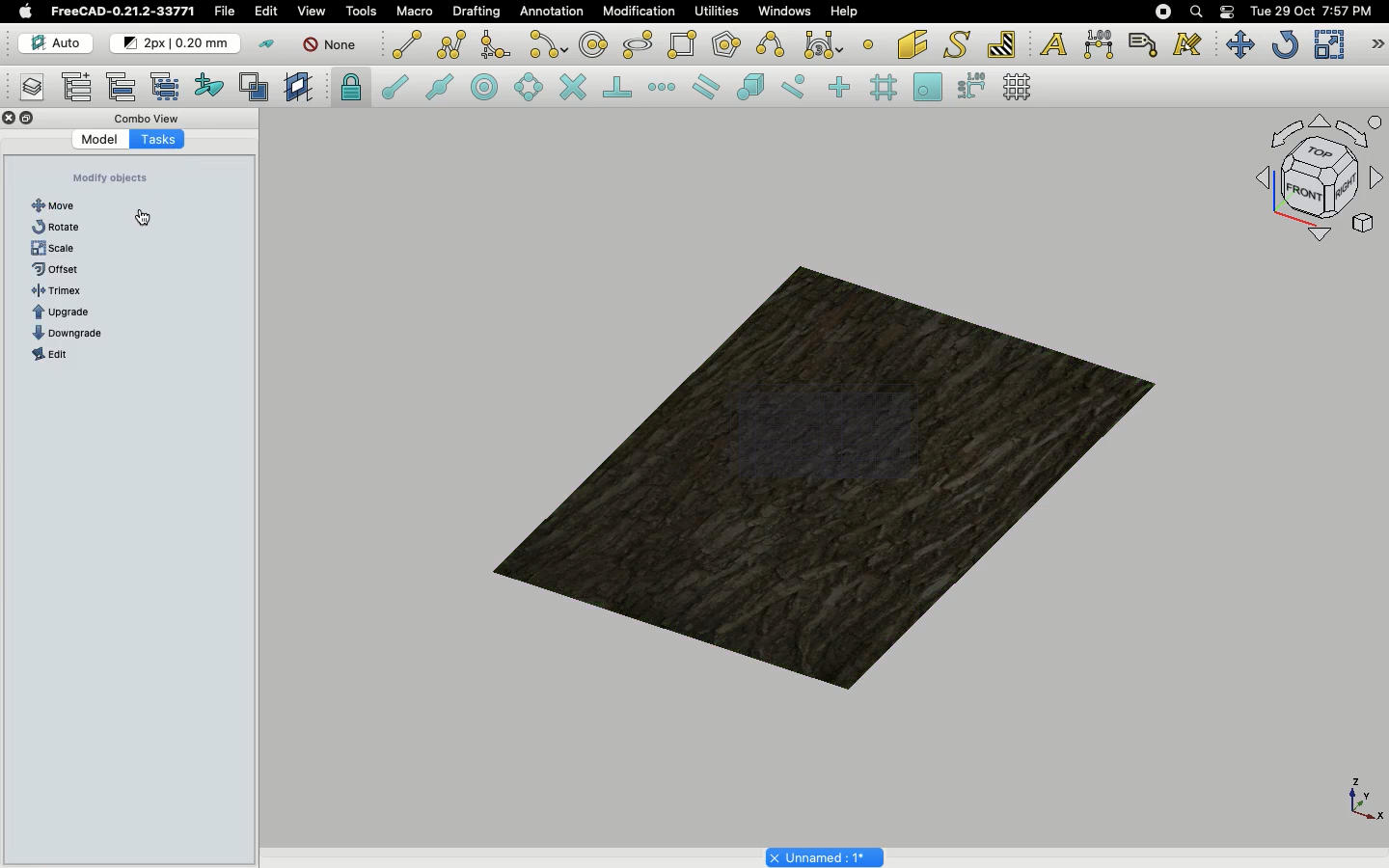 The image size is (1389, 868). Describe the element at coordinates (574, 89) in the screenshot. I see `Snap intersection` at that location.